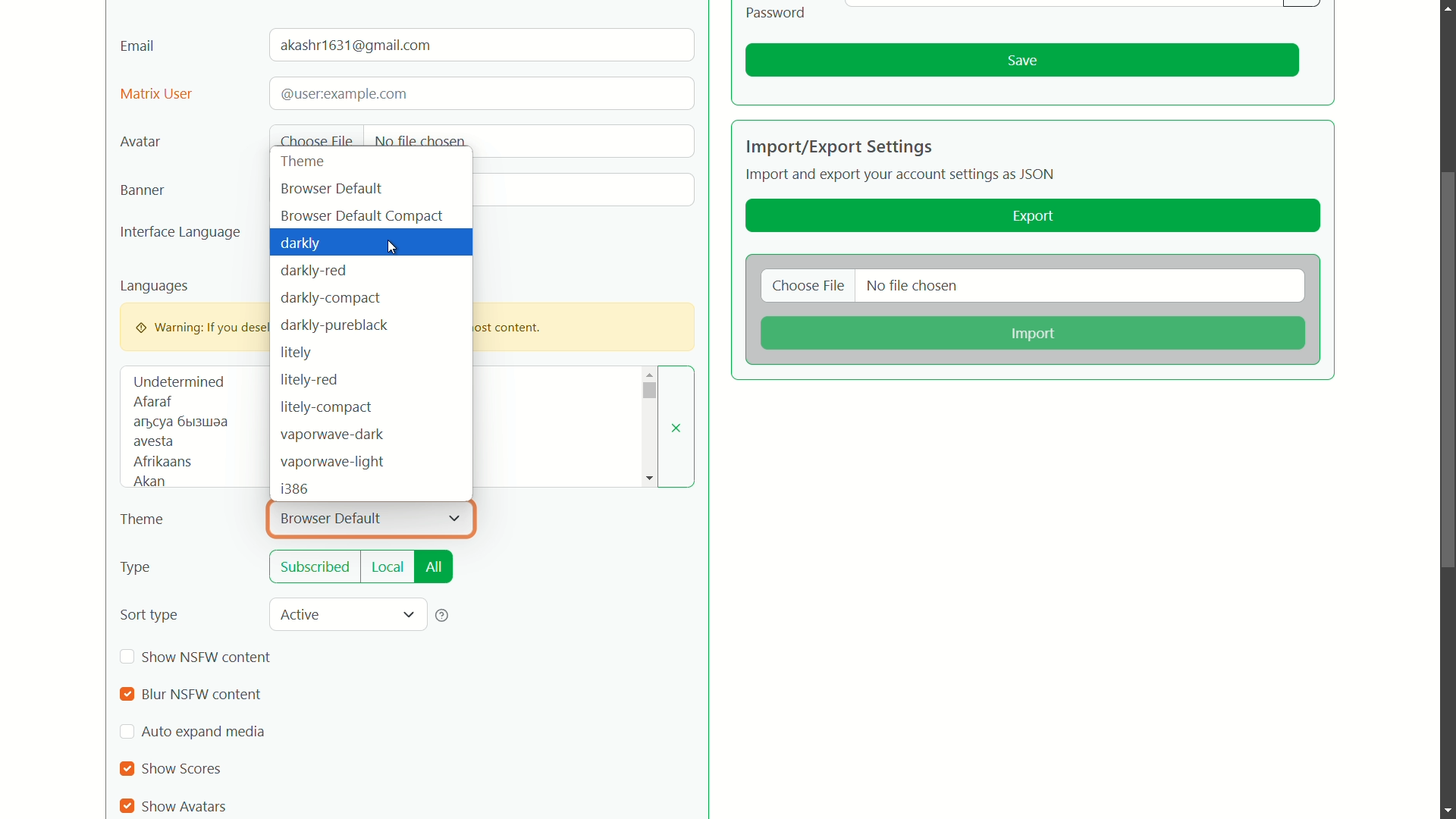 Image resolution: width=1456 pixels, height=819 pixels. I want to click on i386, so click(295, 490).